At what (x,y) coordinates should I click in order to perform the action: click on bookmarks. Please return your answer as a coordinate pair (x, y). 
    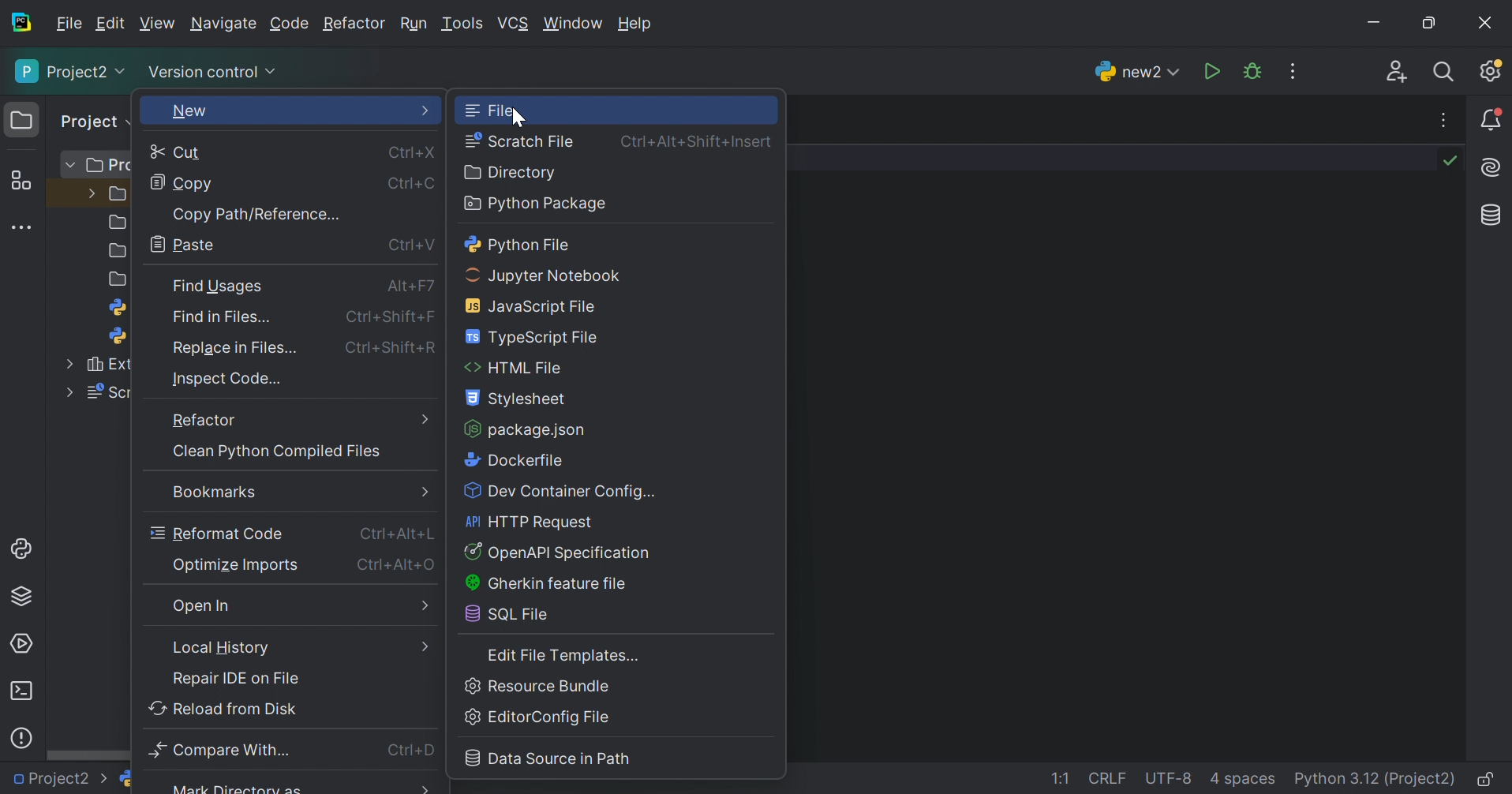
    Looking at the image, I should click on (211, 493).